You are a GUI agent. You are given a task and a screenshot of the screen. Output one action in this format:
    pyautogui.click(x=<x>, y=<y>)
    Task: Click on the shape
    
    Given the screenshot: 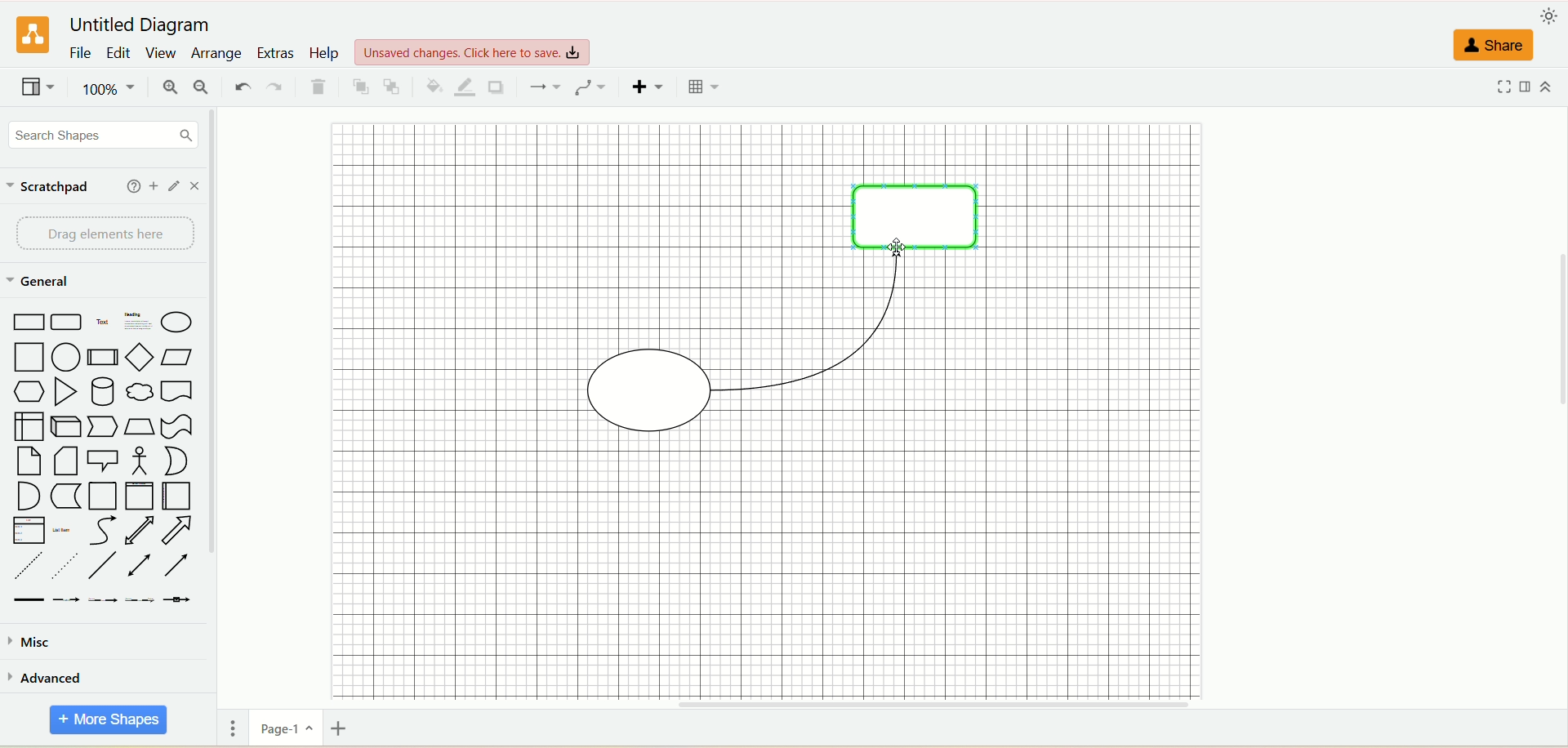 What is the action you would take?
    pyautogui.click(x=922, y=213)
    